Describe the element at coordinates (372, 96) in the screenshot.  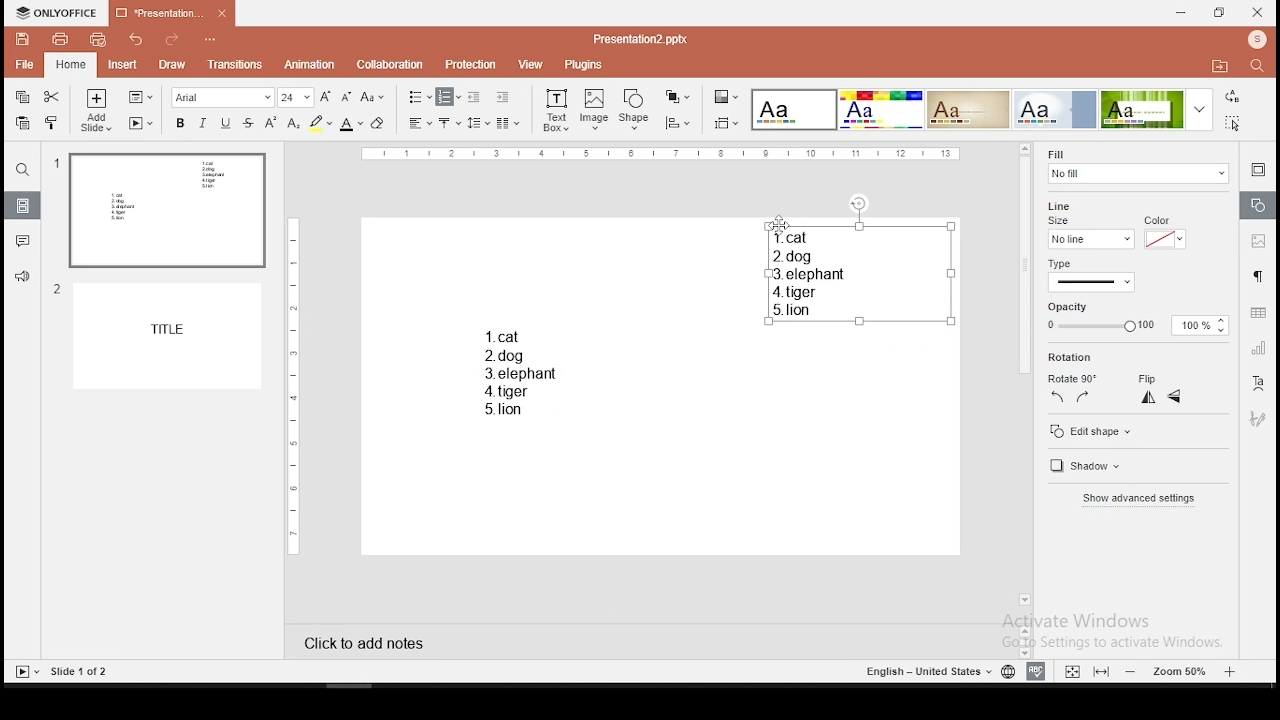
I see `change case` at that location.